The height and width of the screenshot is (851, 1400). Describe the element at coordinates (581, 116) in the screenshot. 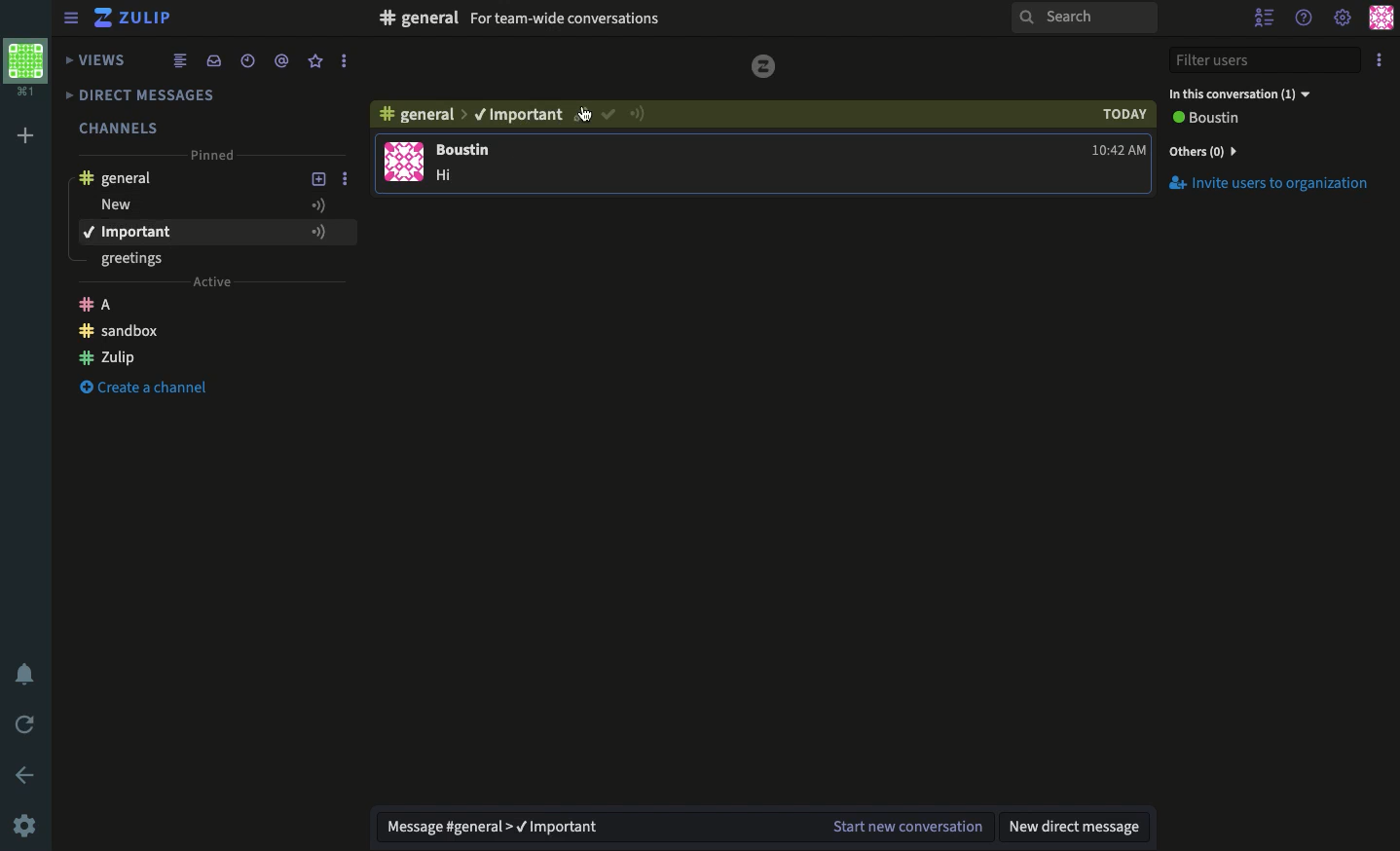

I see `cursor` at that location.